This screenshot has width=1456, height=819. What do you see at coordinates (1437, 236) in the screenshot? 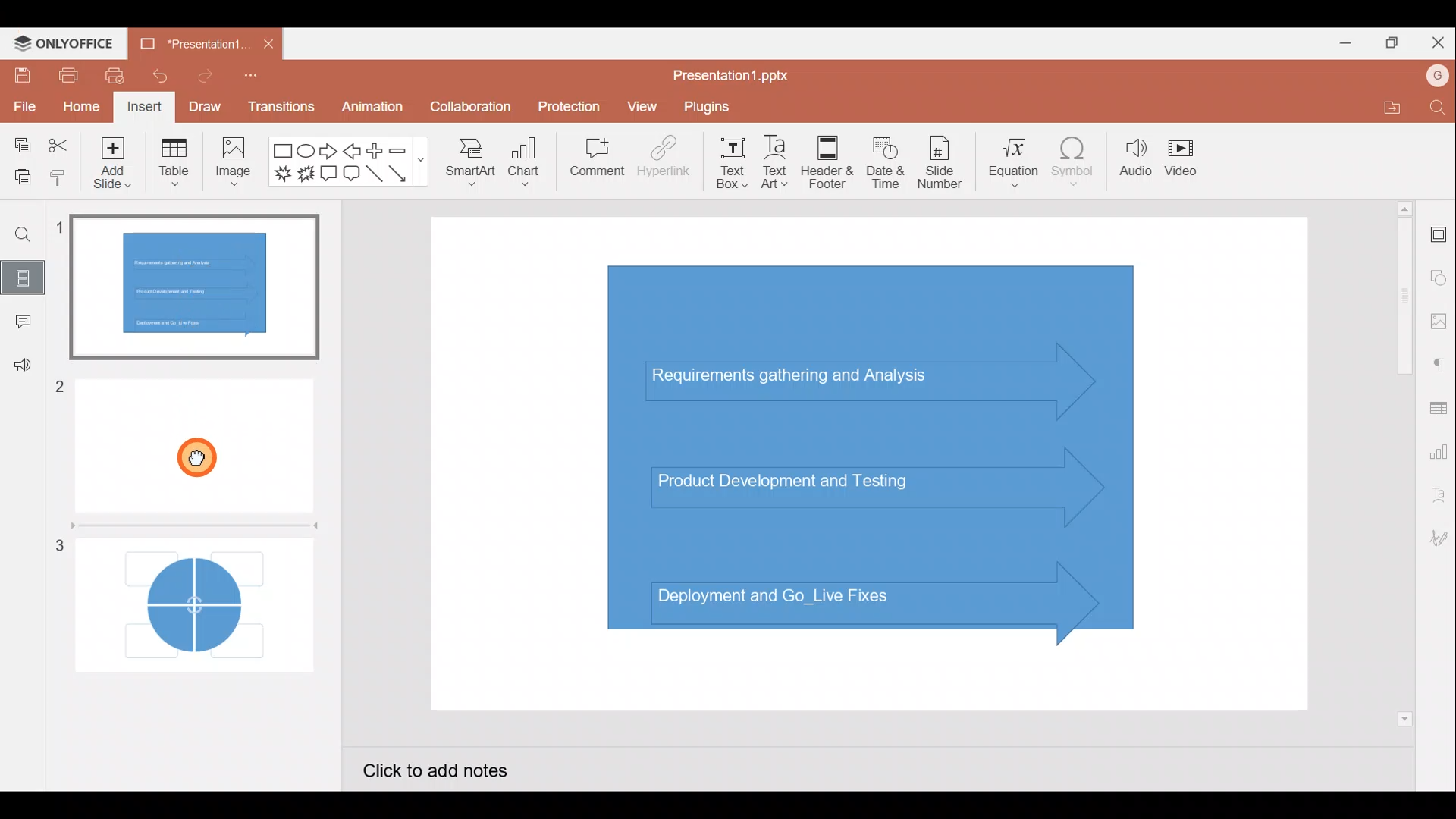
I see `Slide settings` at bounding box center [1437, 236].